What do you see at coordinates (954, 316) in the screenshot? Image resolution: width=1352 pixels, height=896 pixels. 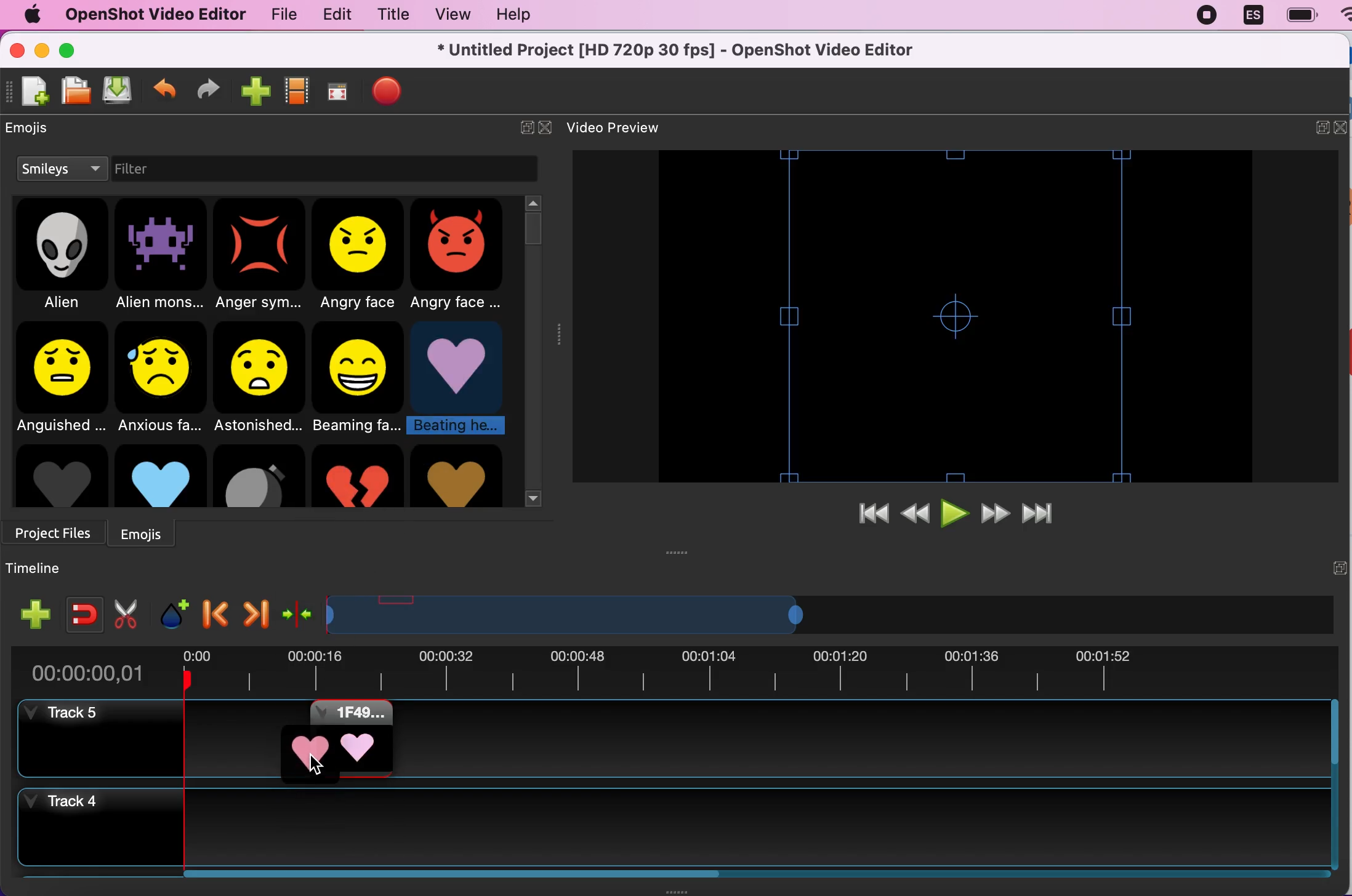 I see `video preview` at bounding box center [954, 316].